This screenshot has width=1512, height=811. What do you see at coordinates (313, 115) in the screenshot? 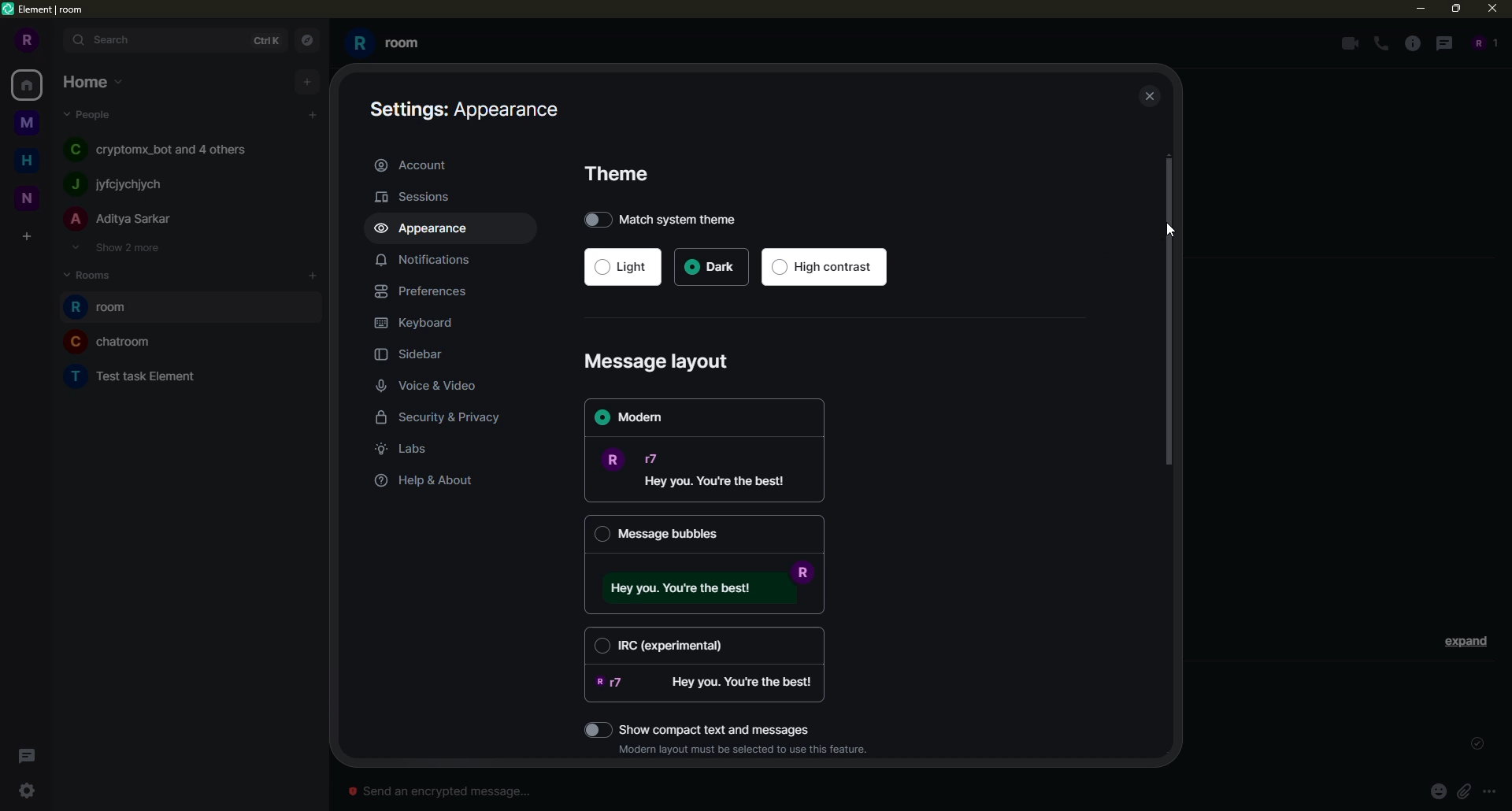
I see `add` at bounding box center [313, 115].